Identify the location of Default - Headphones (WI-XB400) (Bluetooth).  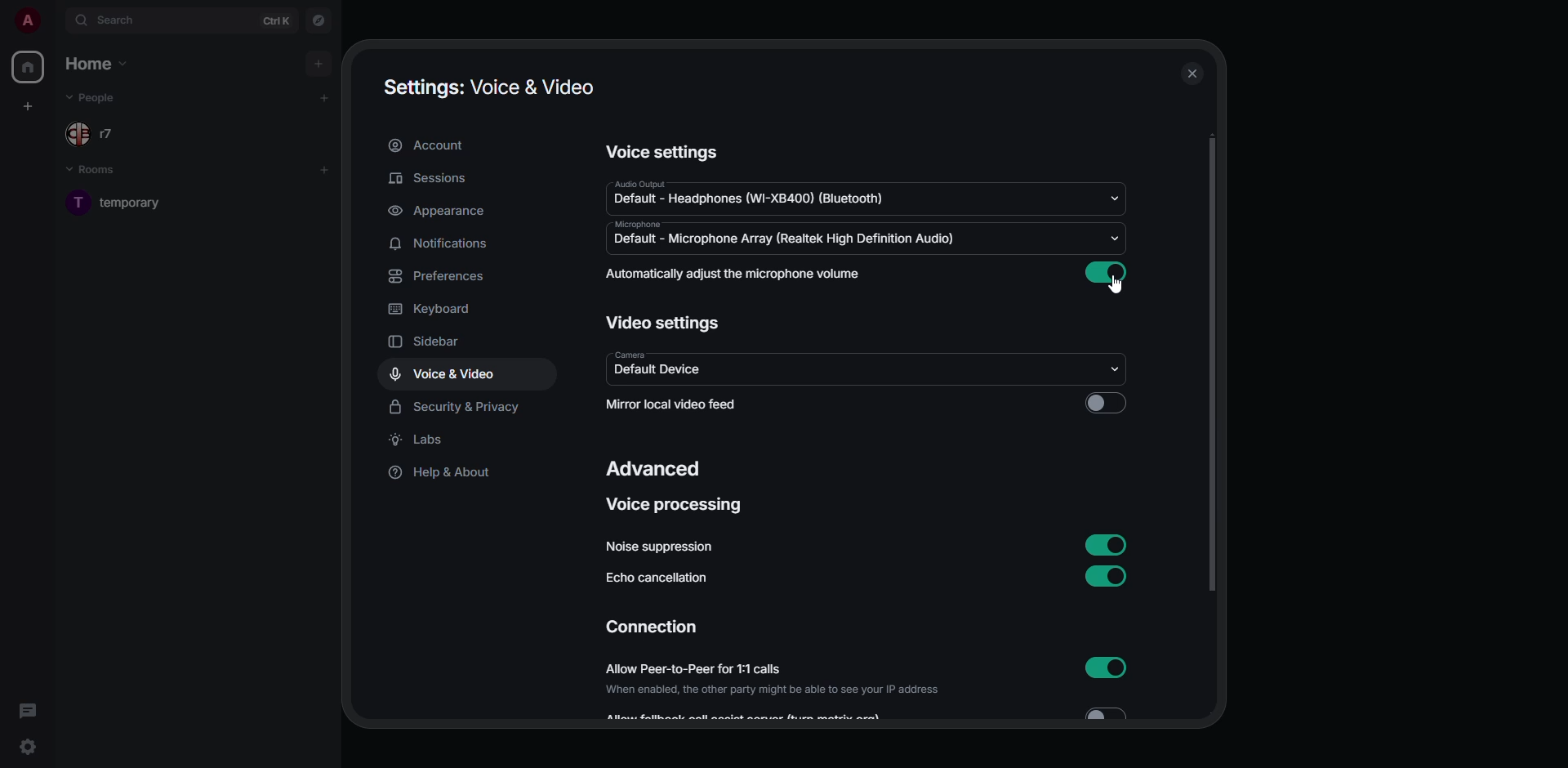
(751, 202).